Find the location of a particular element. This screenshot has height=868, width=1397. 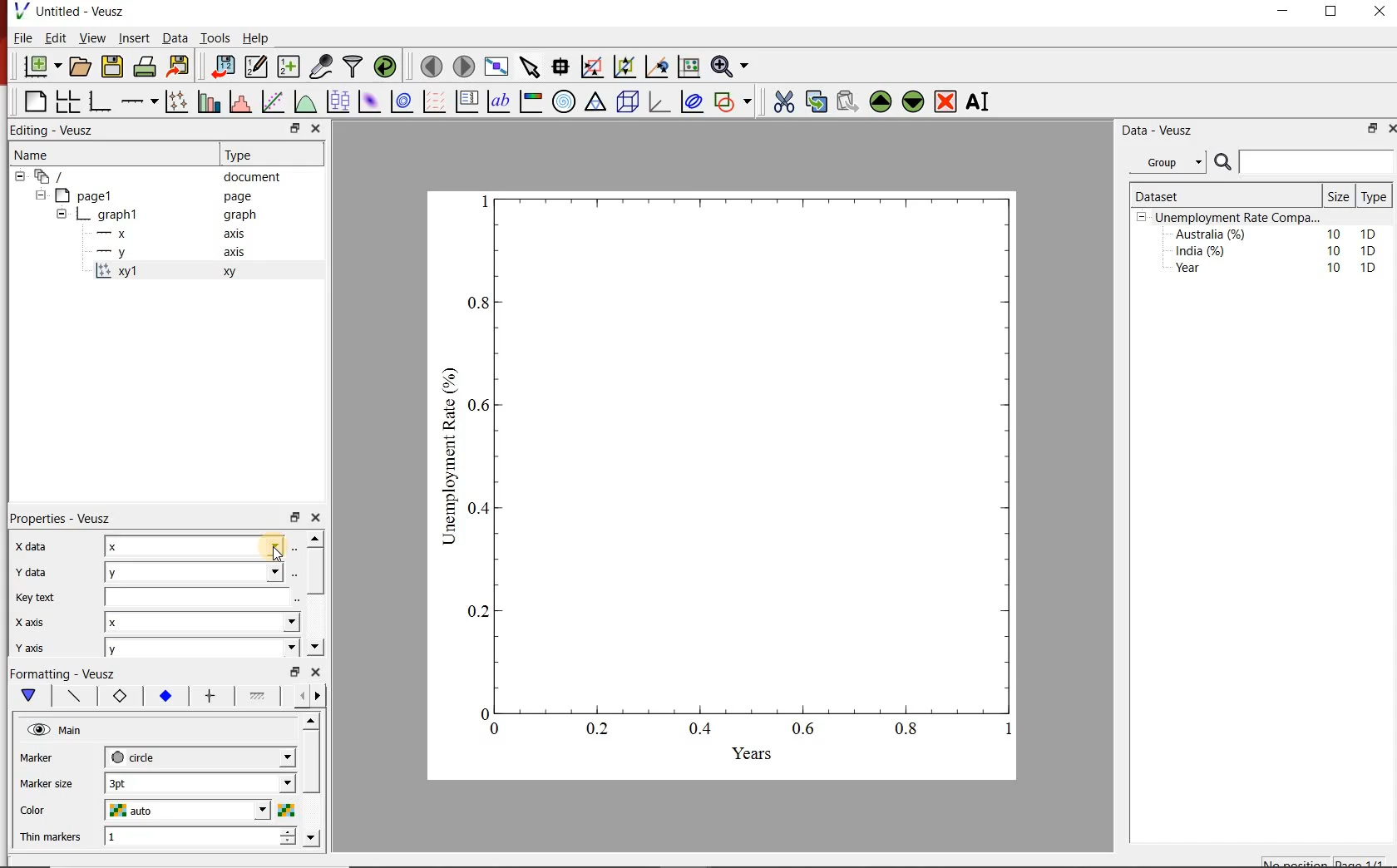

Size is located at coordinates (1340, 196).